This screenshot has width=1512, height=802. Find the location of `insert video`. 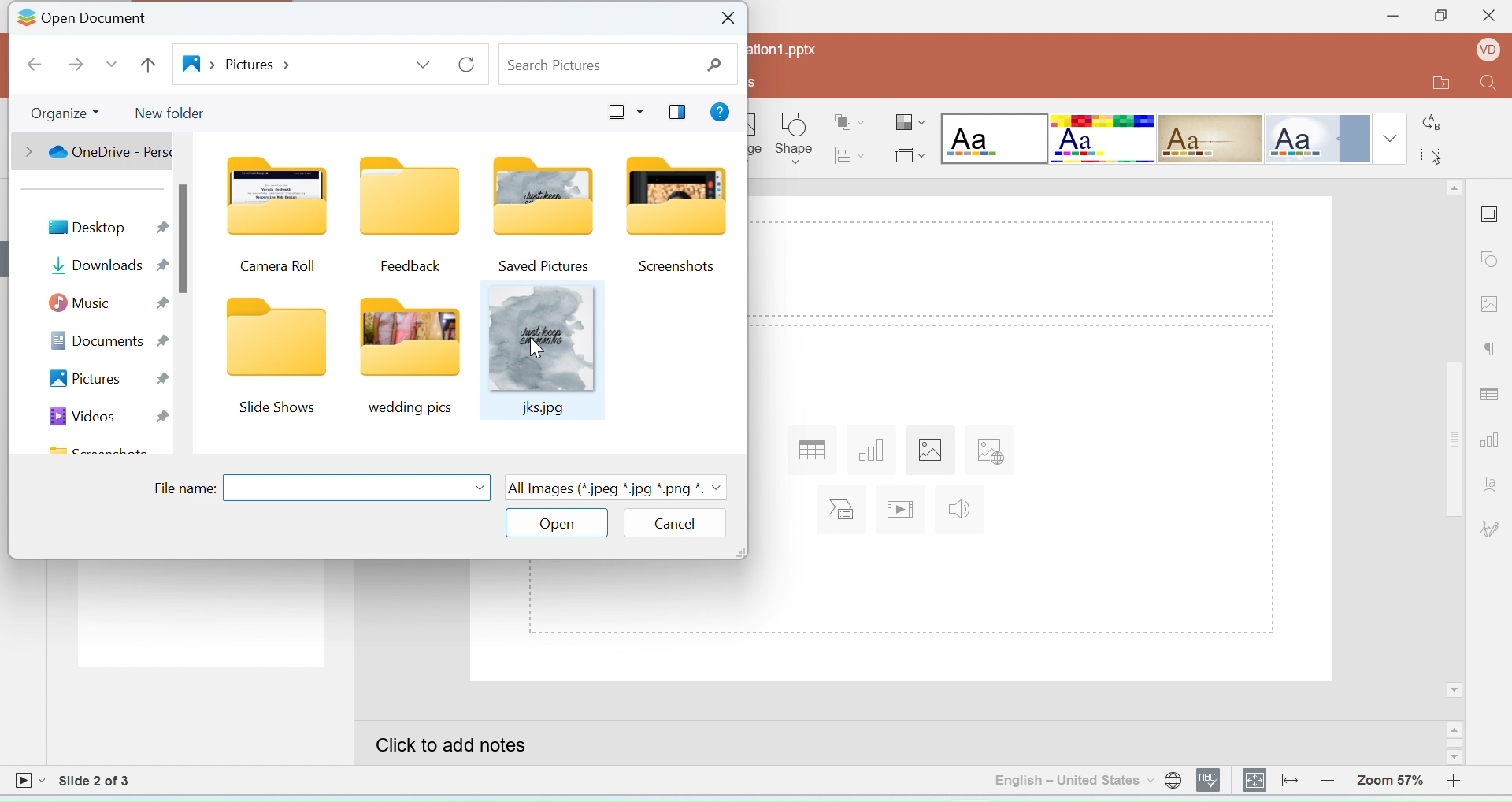

insert video is located at coordinates (902, 509).